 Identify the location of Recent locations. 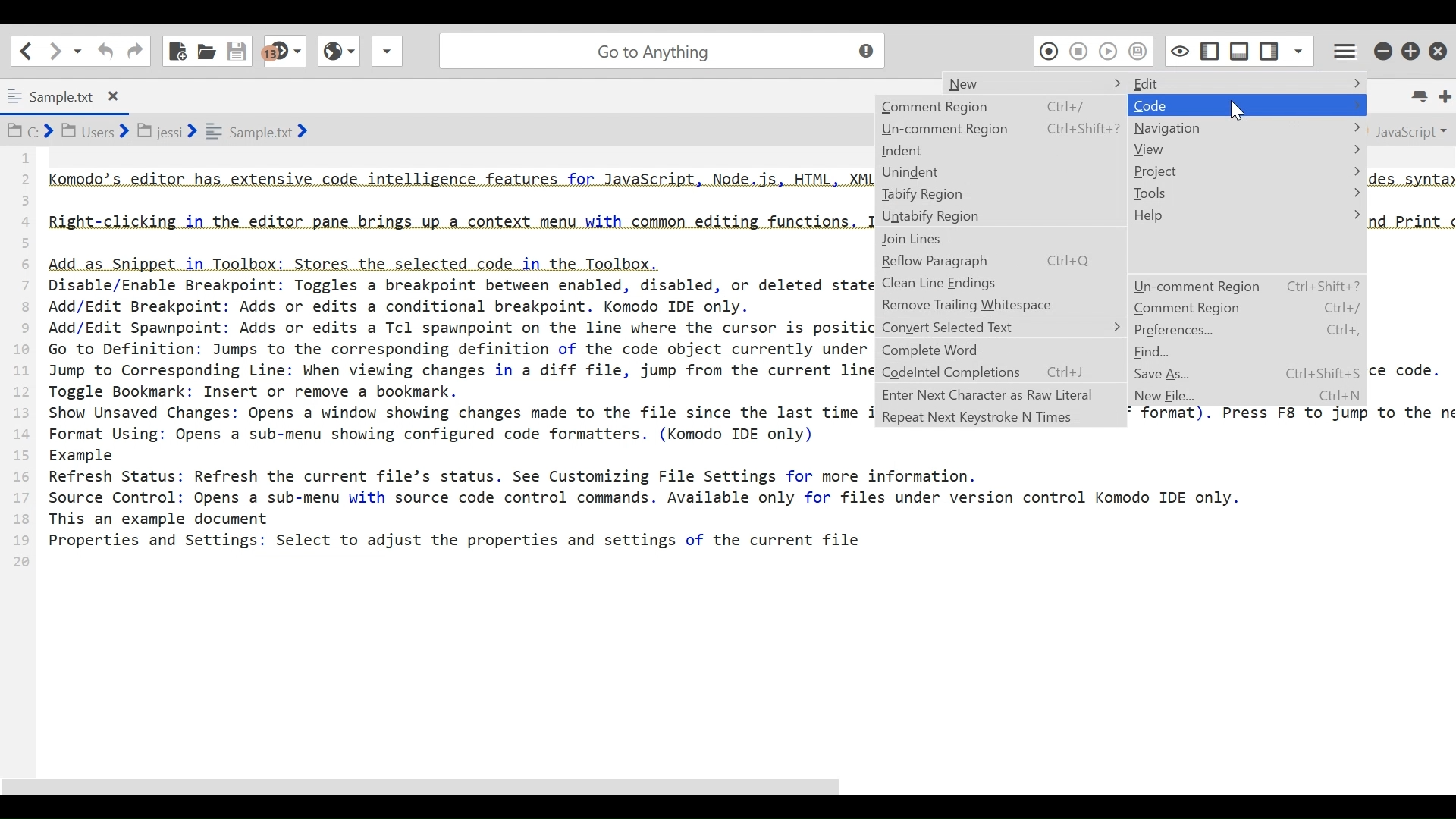
(78, 52).